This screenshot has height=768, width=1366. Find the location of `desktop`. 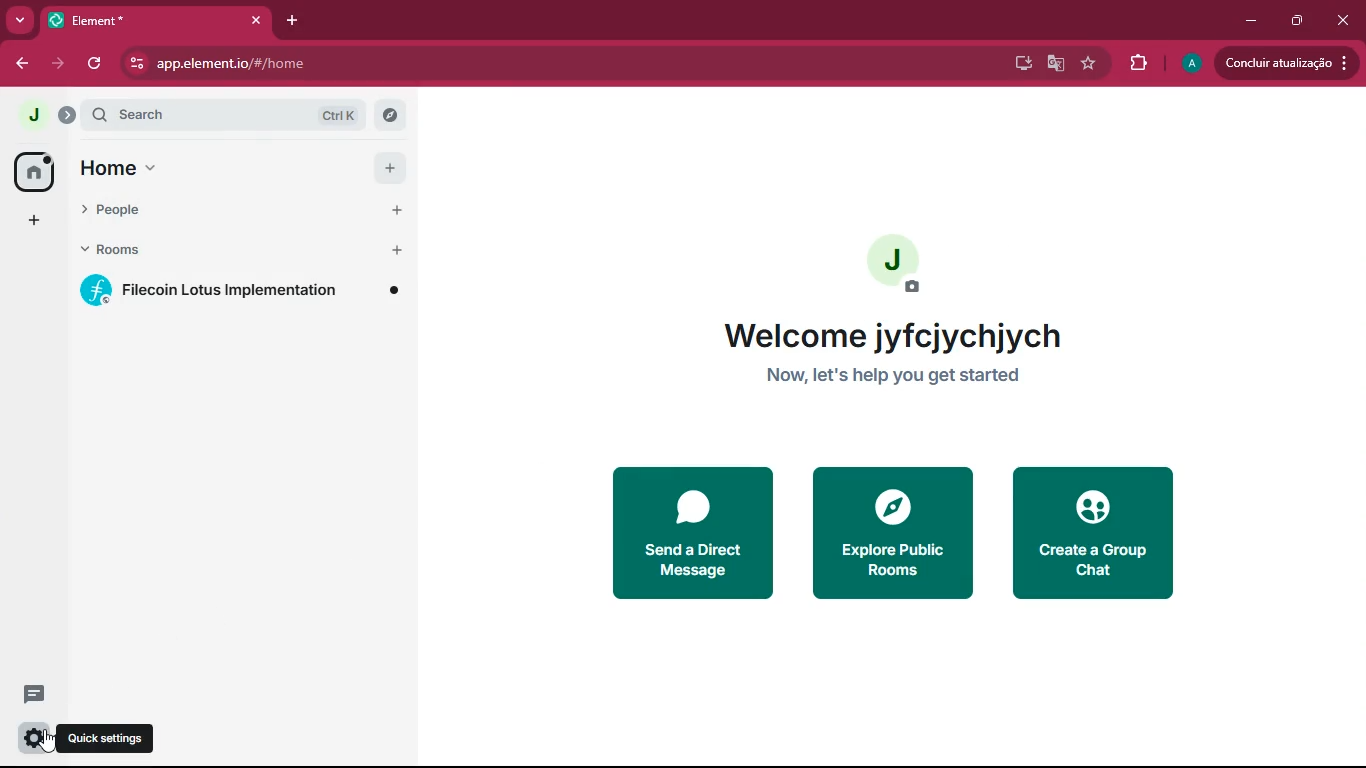

desktop is located at coordinates (1018, 65).